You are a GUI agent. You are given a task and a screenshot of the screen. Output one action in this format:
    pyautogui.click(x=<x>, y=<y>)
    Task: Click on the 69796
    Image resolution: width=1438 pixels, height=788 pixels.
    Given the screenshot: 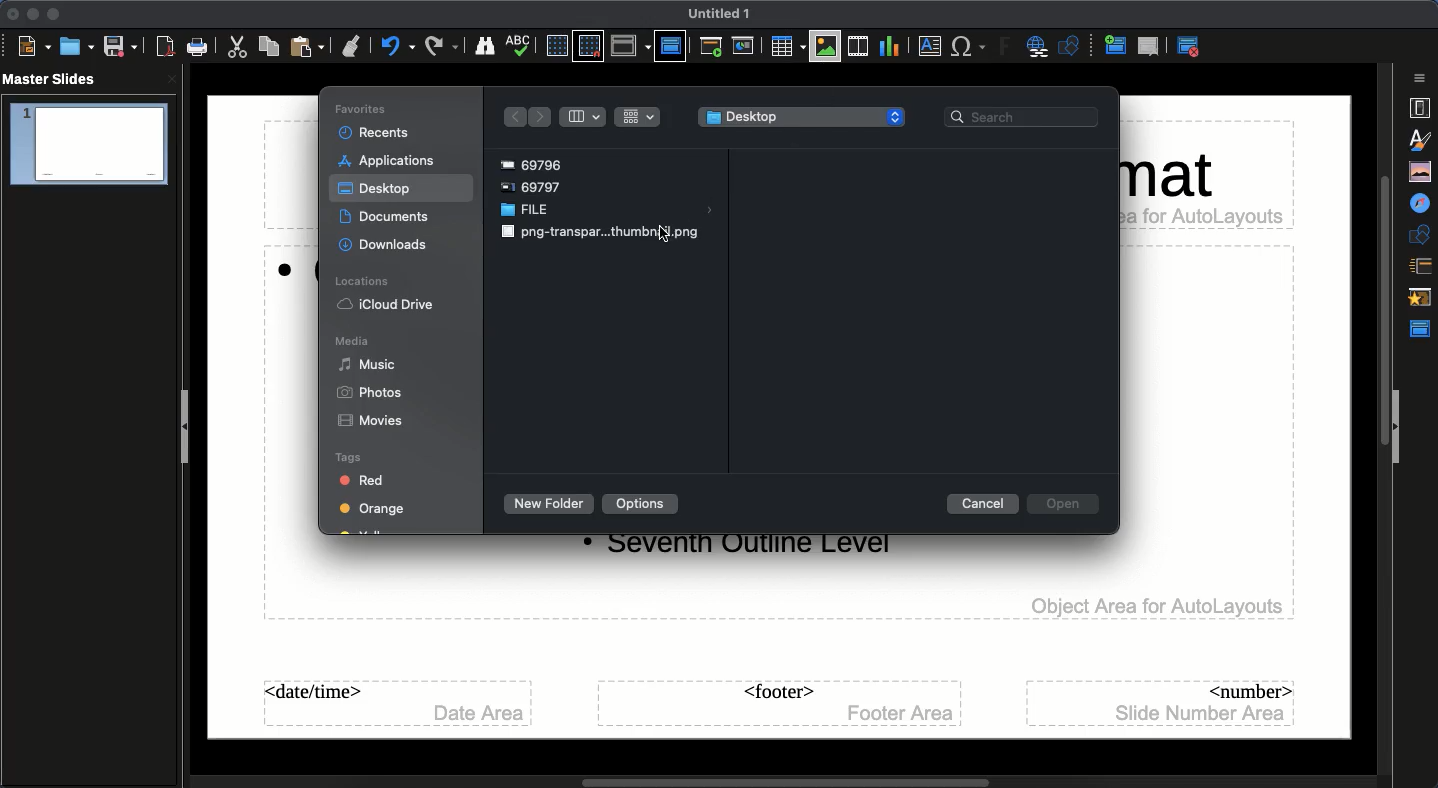 What is the action you would take?
    pyautogui.click(x=537, y=162)
    